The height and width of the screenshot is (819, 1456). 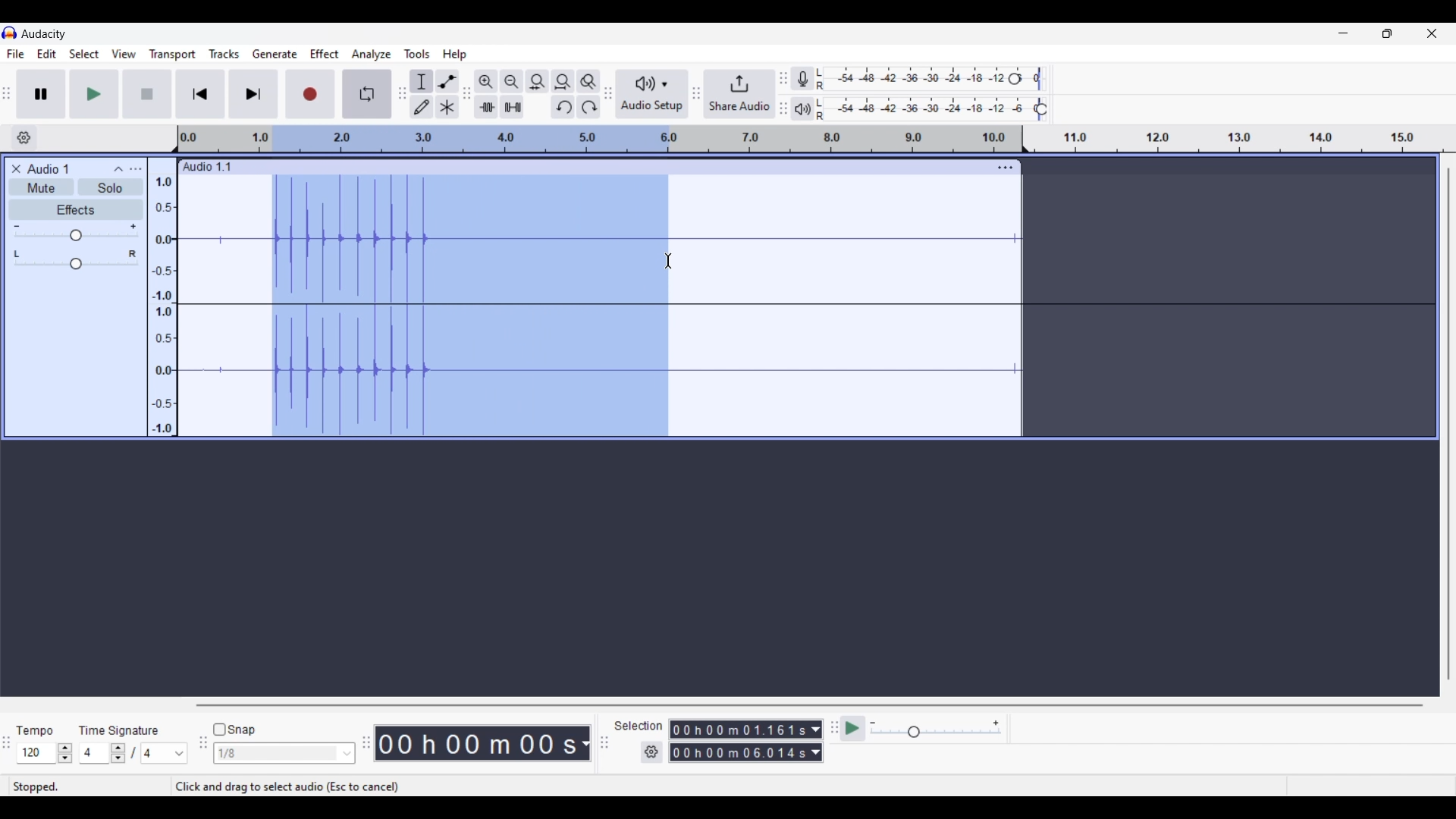 What do you see at coordinates (133, 254) in the screenshot?
I see `Pan to right` at bounding box center [133, 254].